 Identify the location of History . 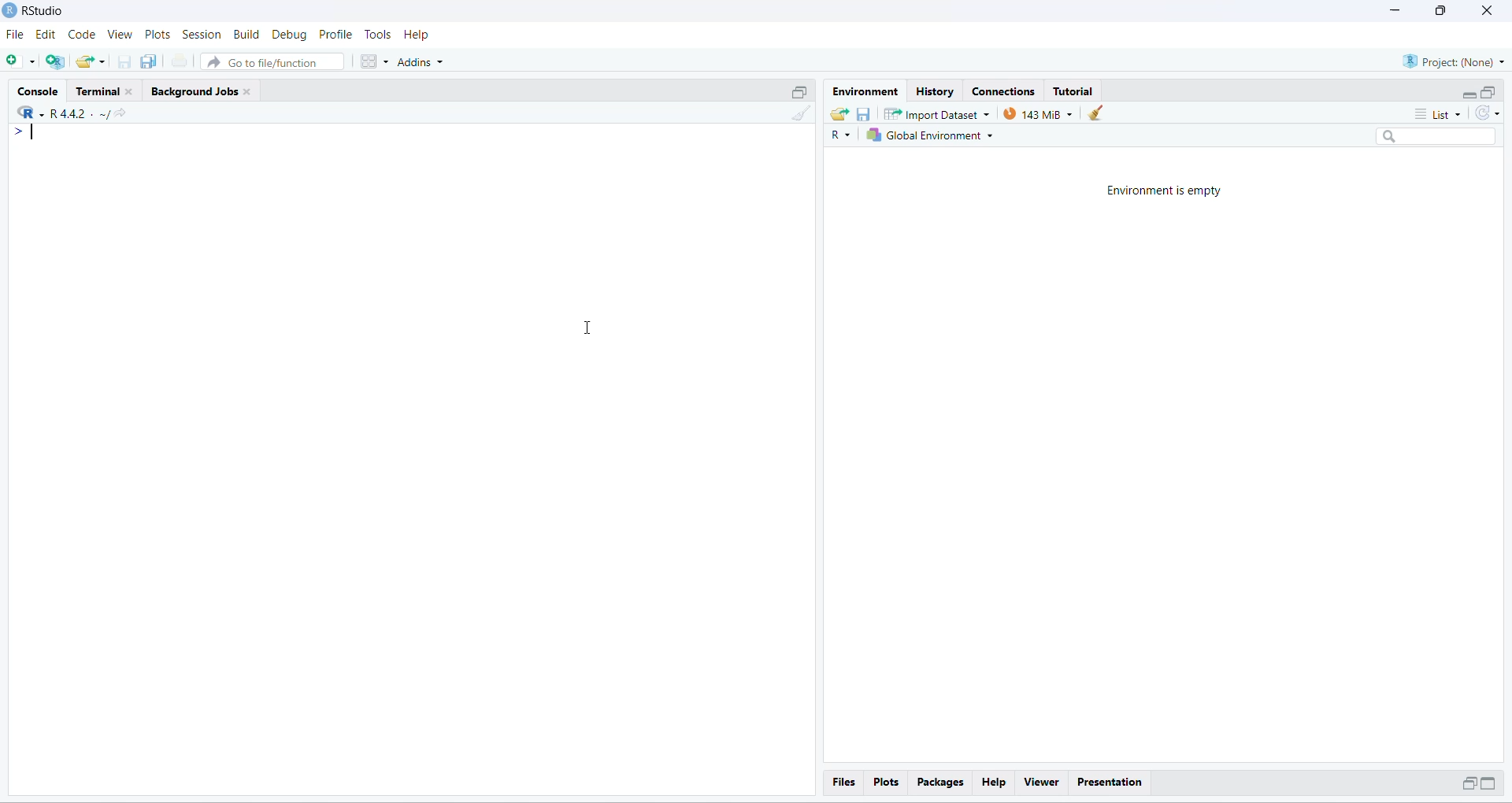
(936, 92).